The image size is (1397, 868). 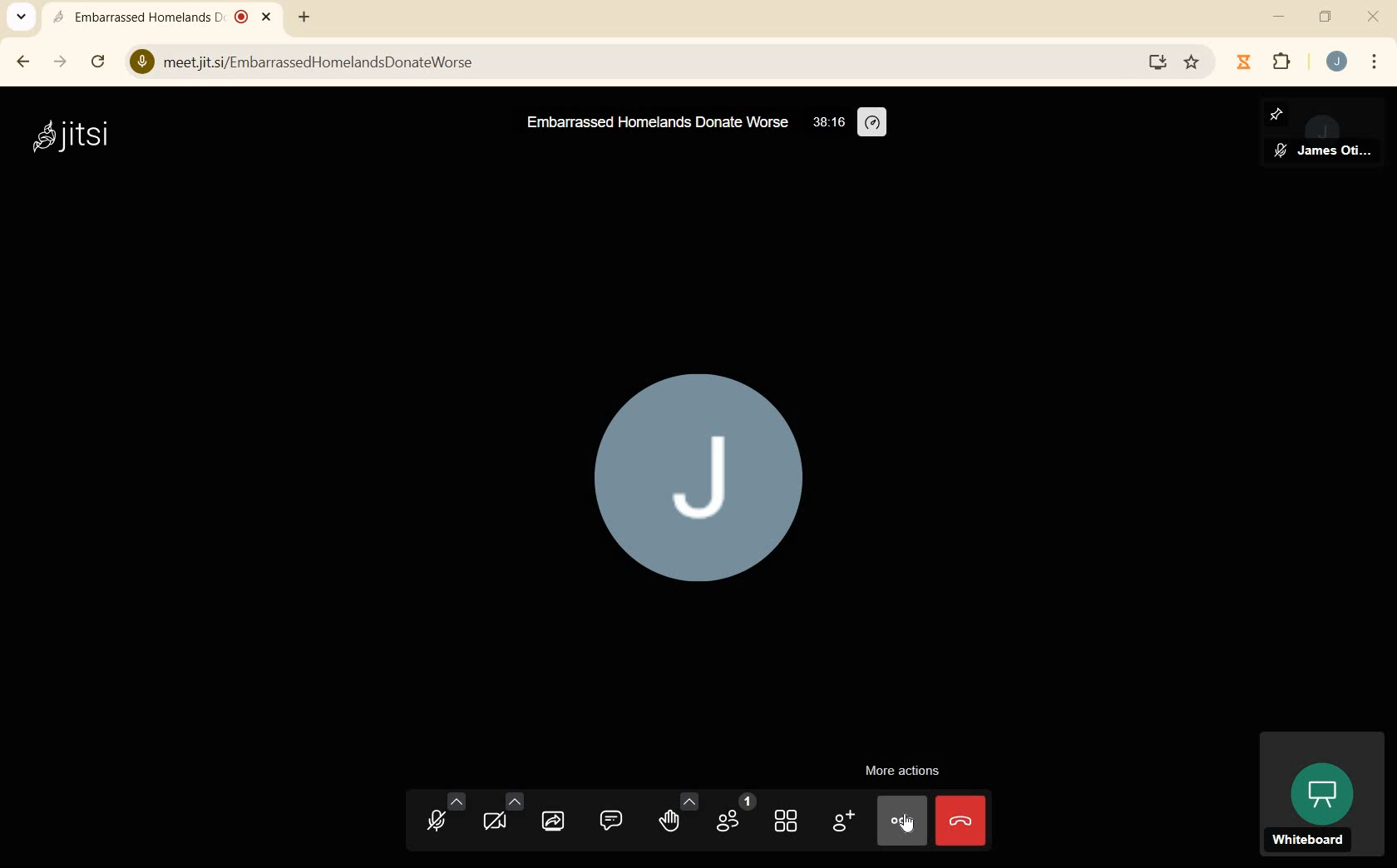 What do you see at coordinates (164, 17) in the screenshot?
I see `current open tab` at bounding box center [164, 17].